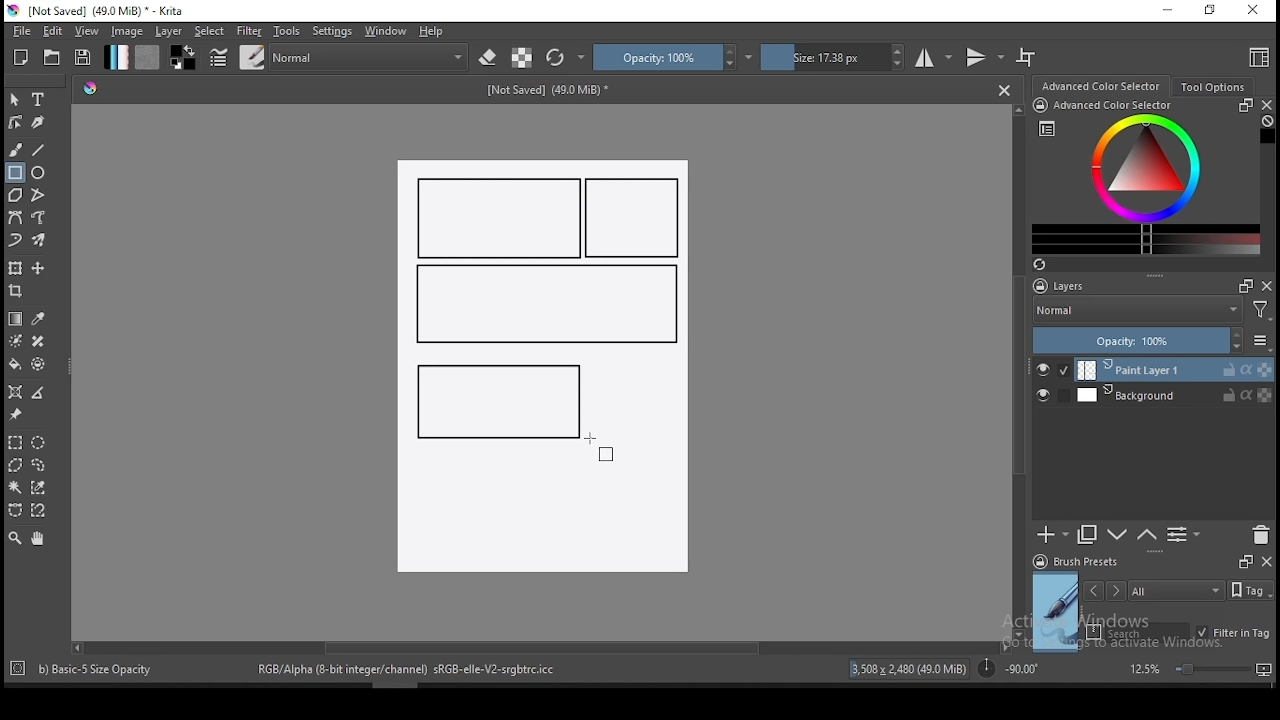 The height and width of the screenshot is (720, 1280). Describe the element at coordinates (248, 31) in the screenshot. I see `filter` at that location.